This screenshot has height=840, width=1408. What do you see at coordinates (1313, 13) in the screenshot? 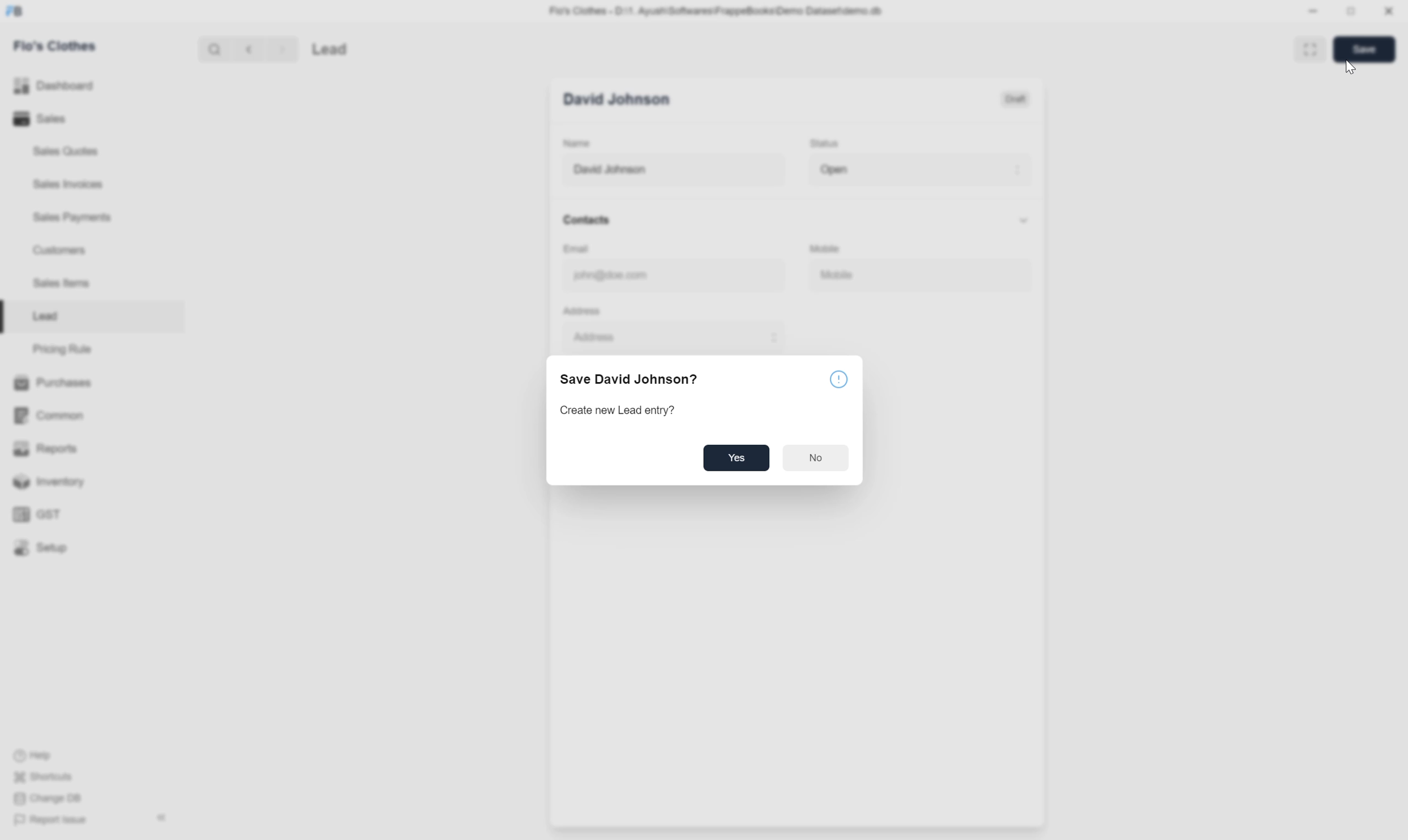
I see `minimise` at bounding box center [1313, 13].